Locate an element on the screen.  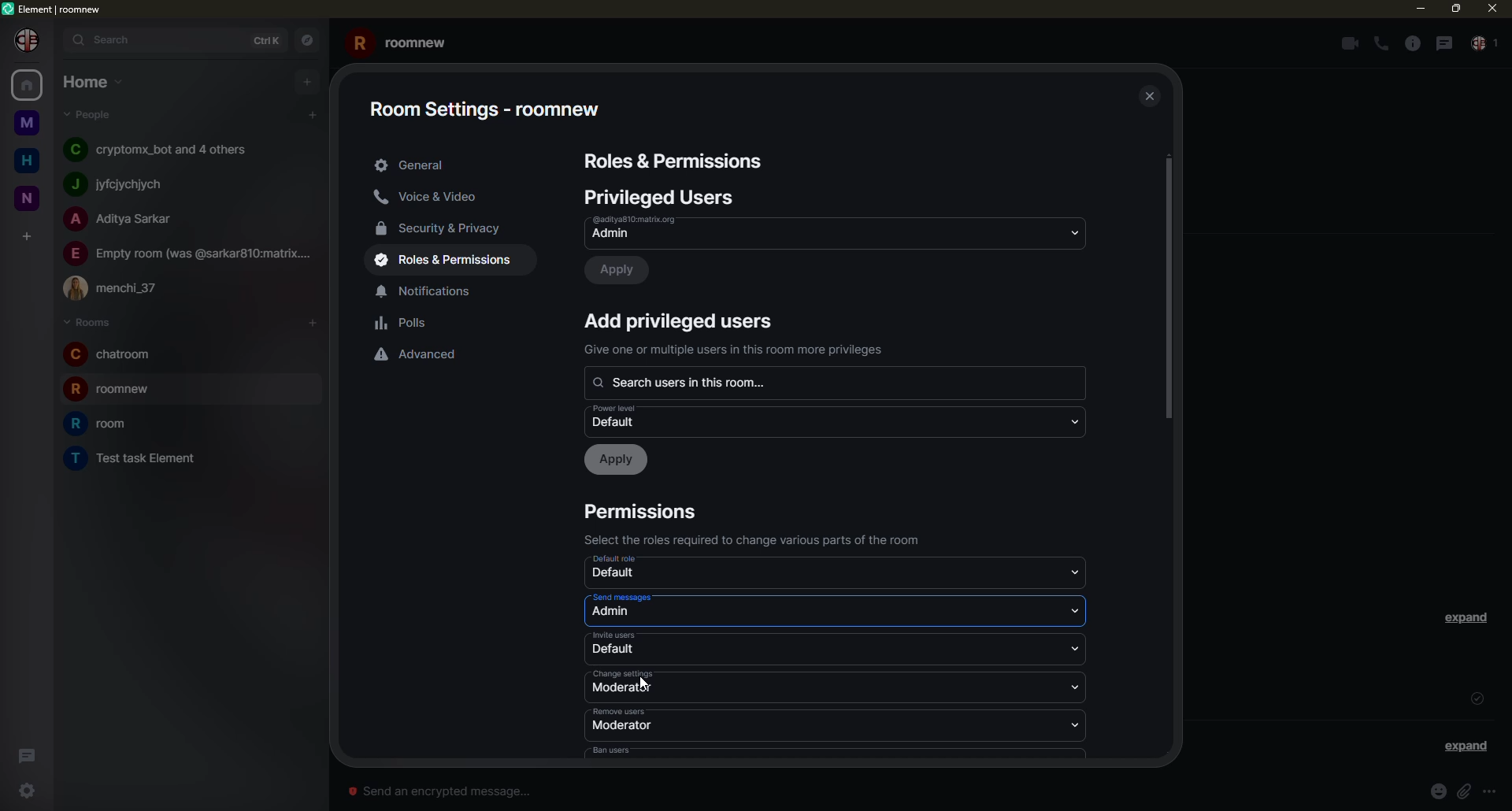
emoji is located at coordinates (1438, 791).